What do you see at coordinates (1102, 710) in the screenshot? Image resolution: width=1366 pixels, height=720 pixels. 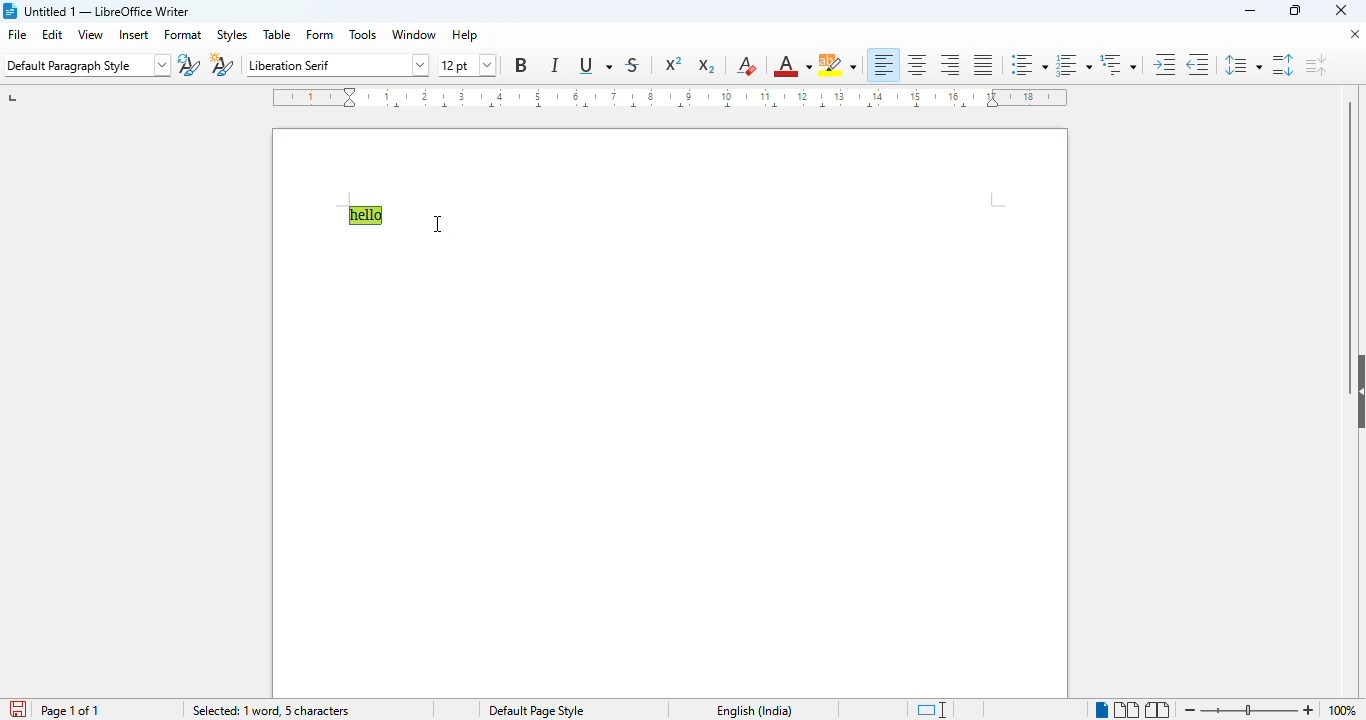 I see `single-page view` at bounding box center [1102, 710].